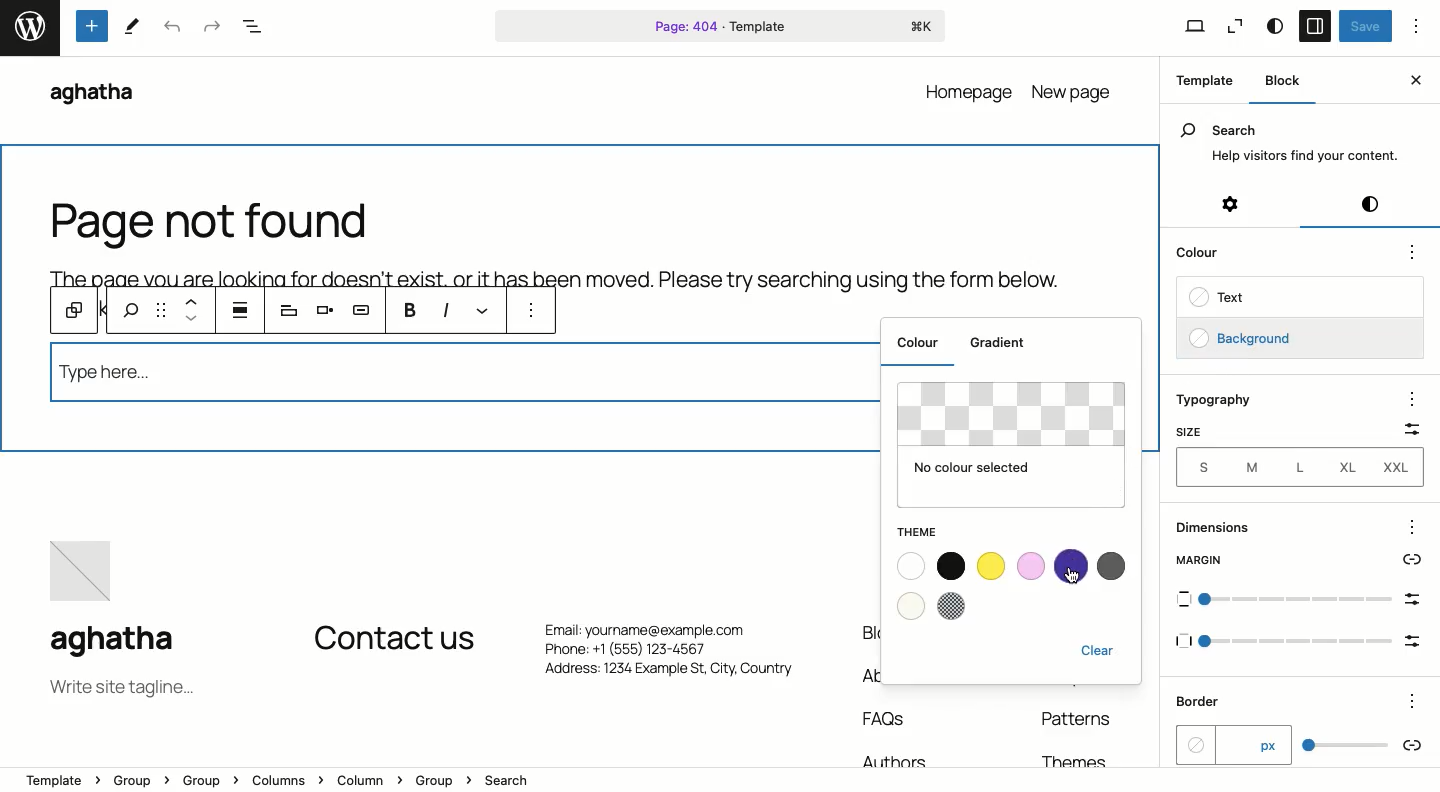 Image resolution: width=1440 pixels, height=792 pixels. Describe the element at coordinates (394, 640) in the screenshot. I see `Contact us` at that location.